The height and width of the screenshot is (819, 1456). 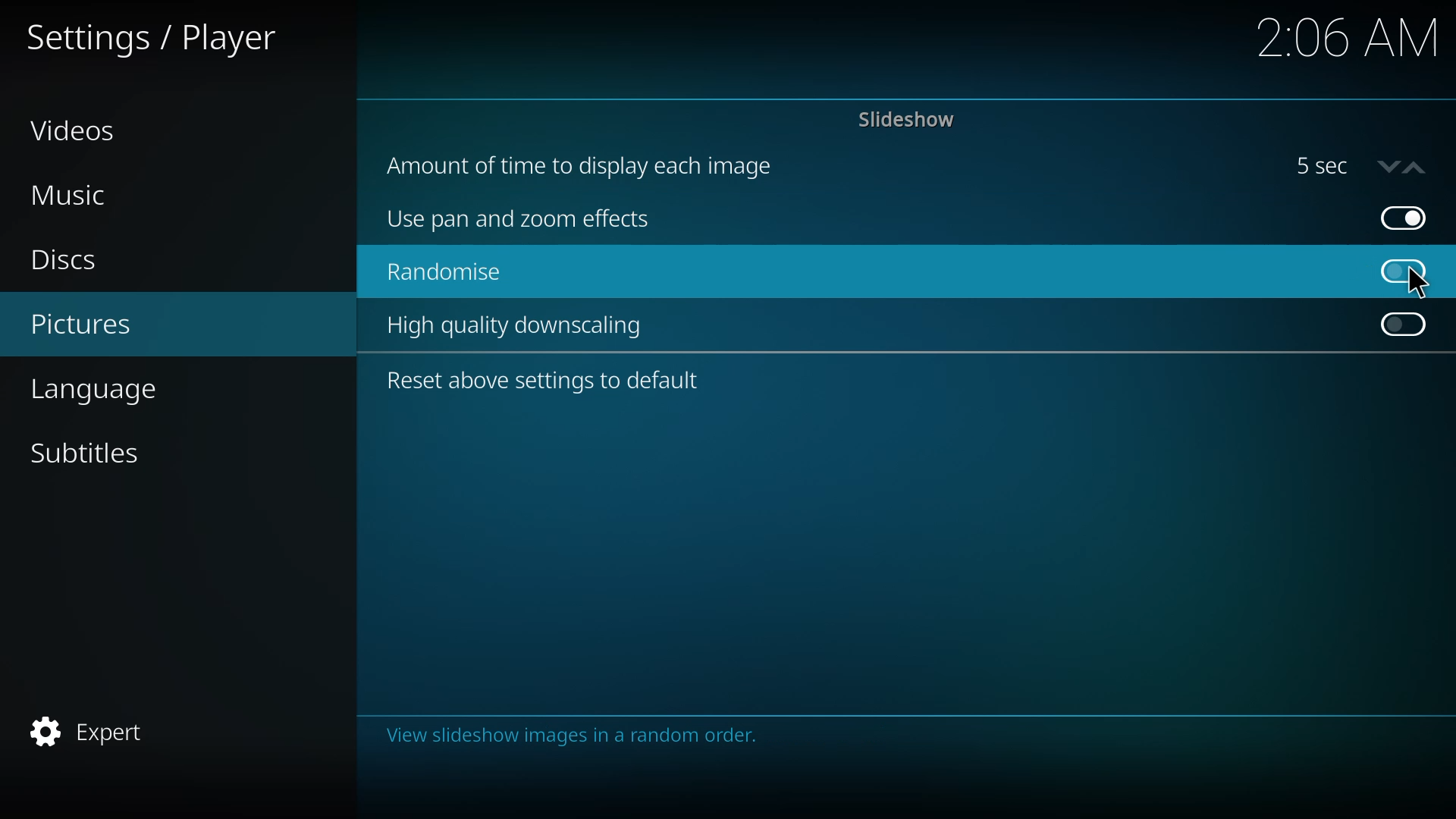 I want to click on cursor, so click(x=1417, y=283).